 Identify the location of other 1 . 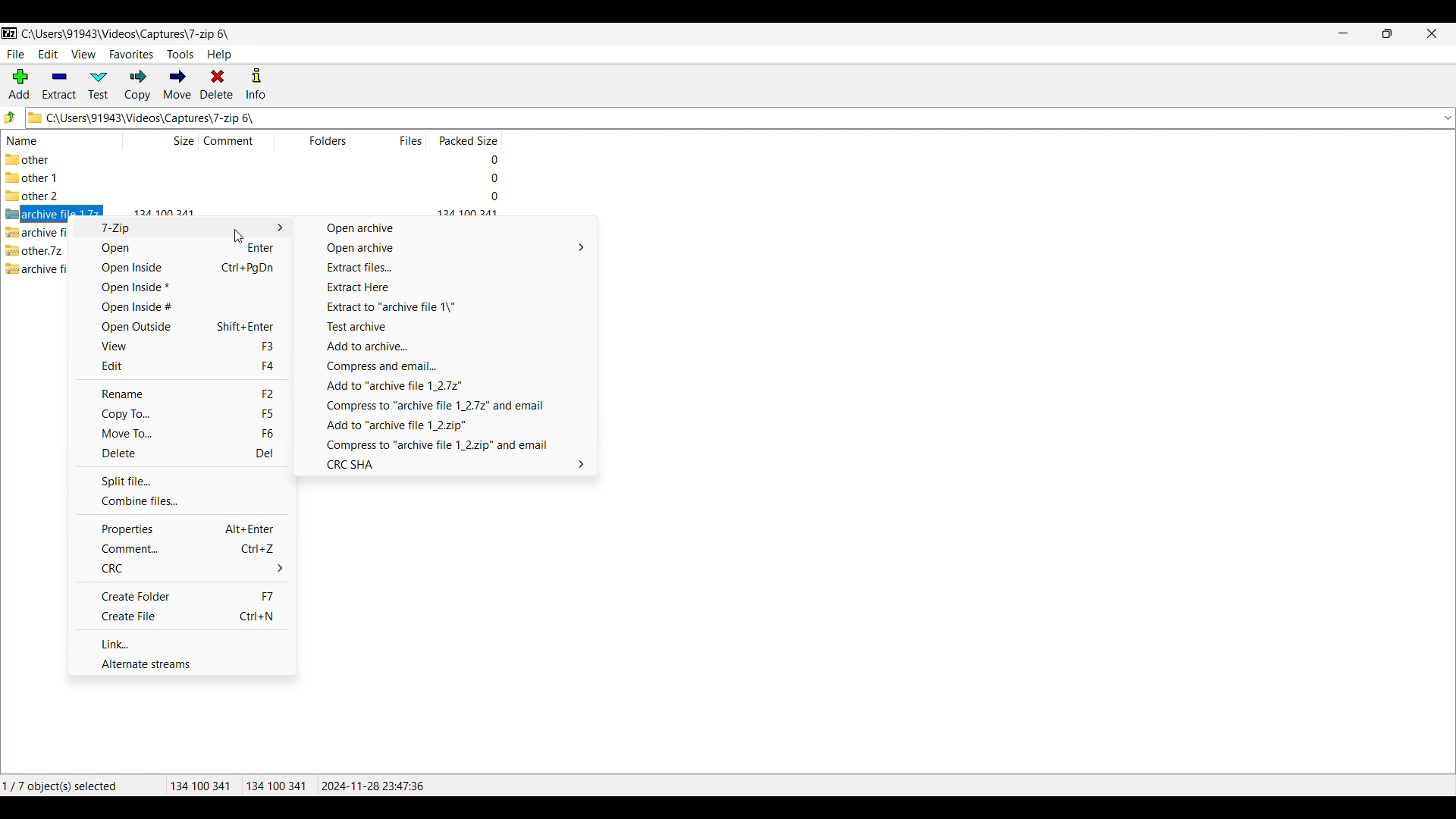
(39, 178).